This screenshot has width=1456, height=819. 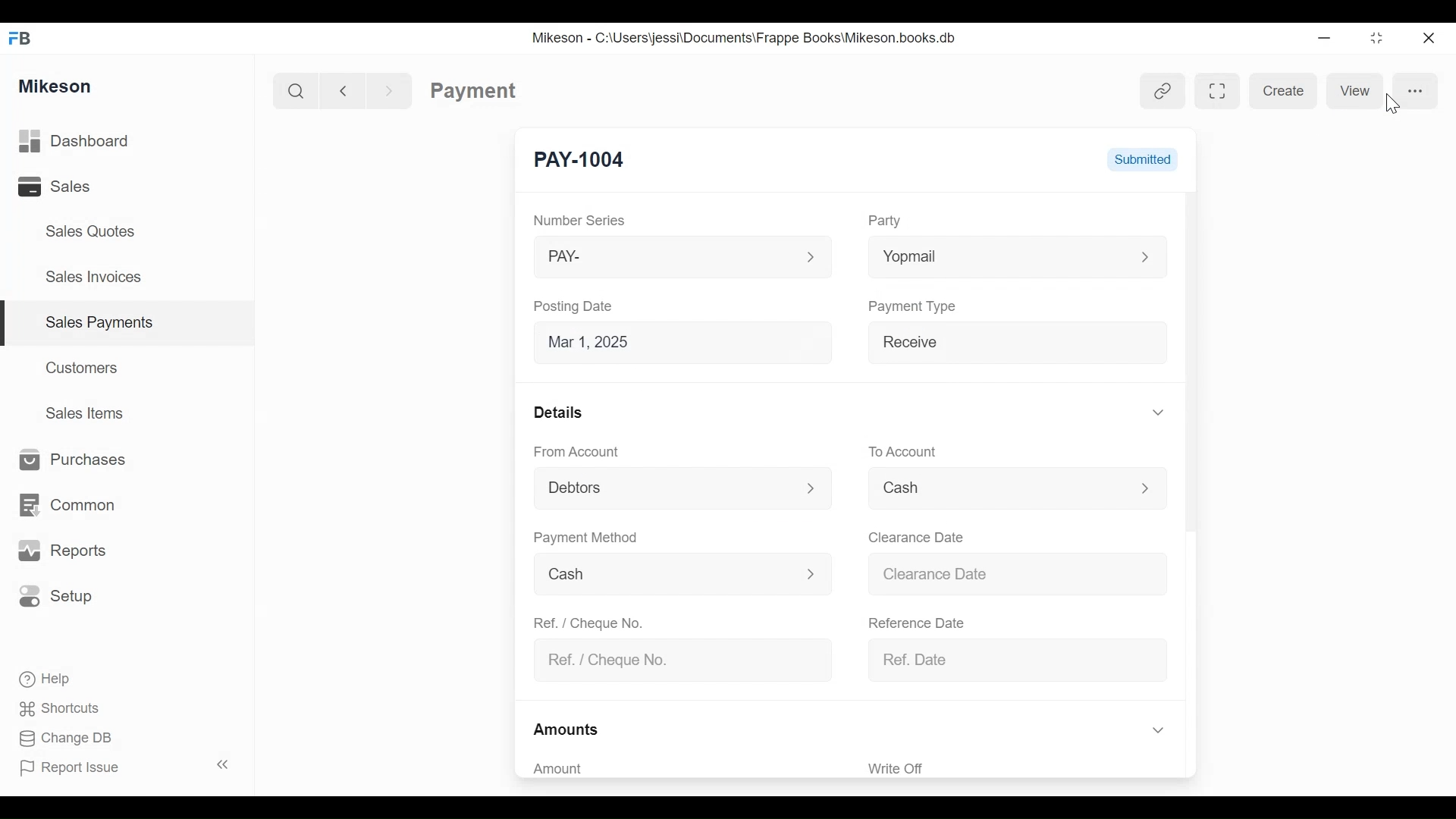 I want to click on Customers, so click(x=86, y=366).